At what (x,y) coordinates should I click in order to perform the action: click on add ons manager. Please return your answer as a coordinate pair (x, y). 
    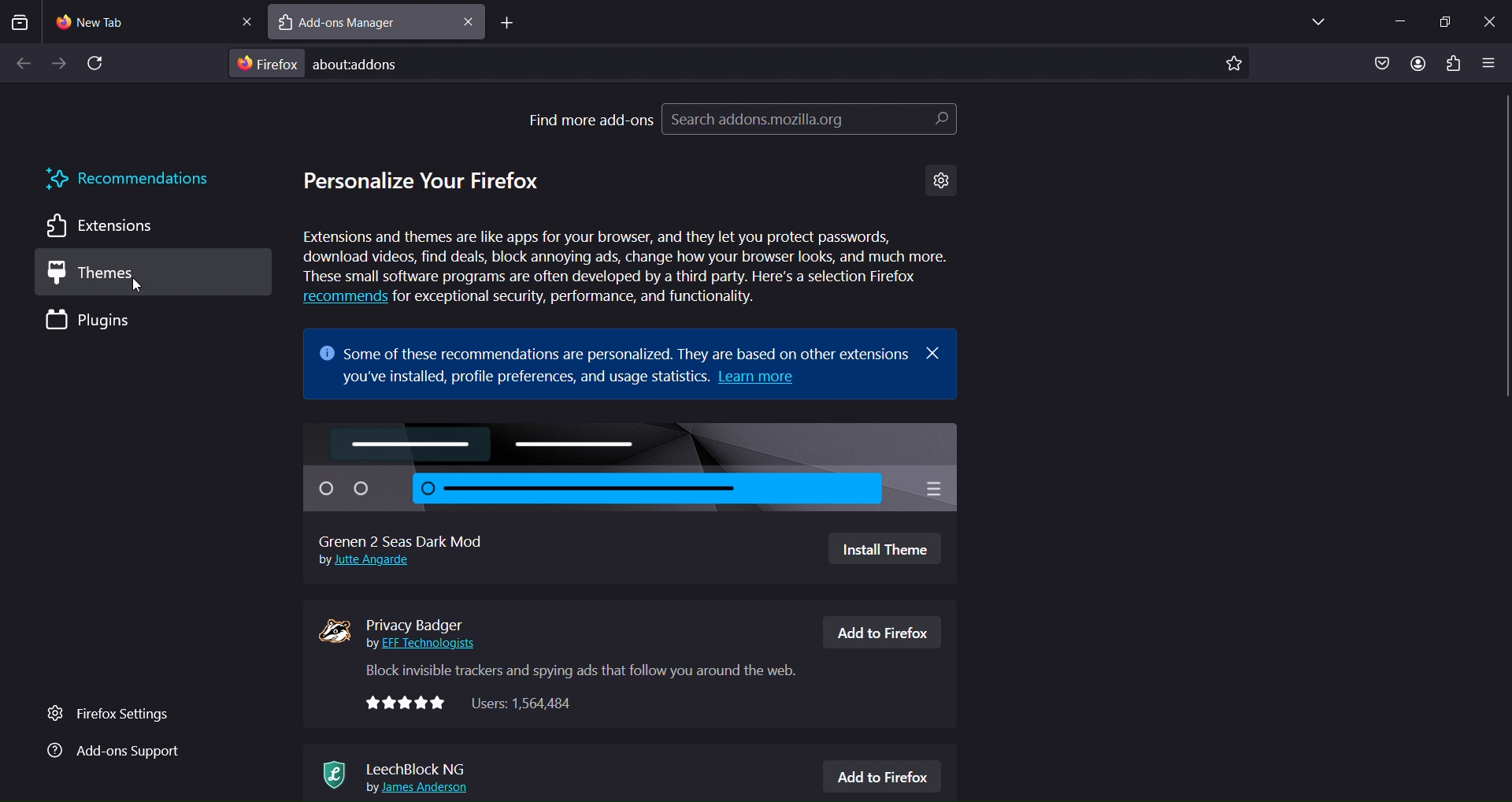
    Looking at the image, I should click on (358, 20).